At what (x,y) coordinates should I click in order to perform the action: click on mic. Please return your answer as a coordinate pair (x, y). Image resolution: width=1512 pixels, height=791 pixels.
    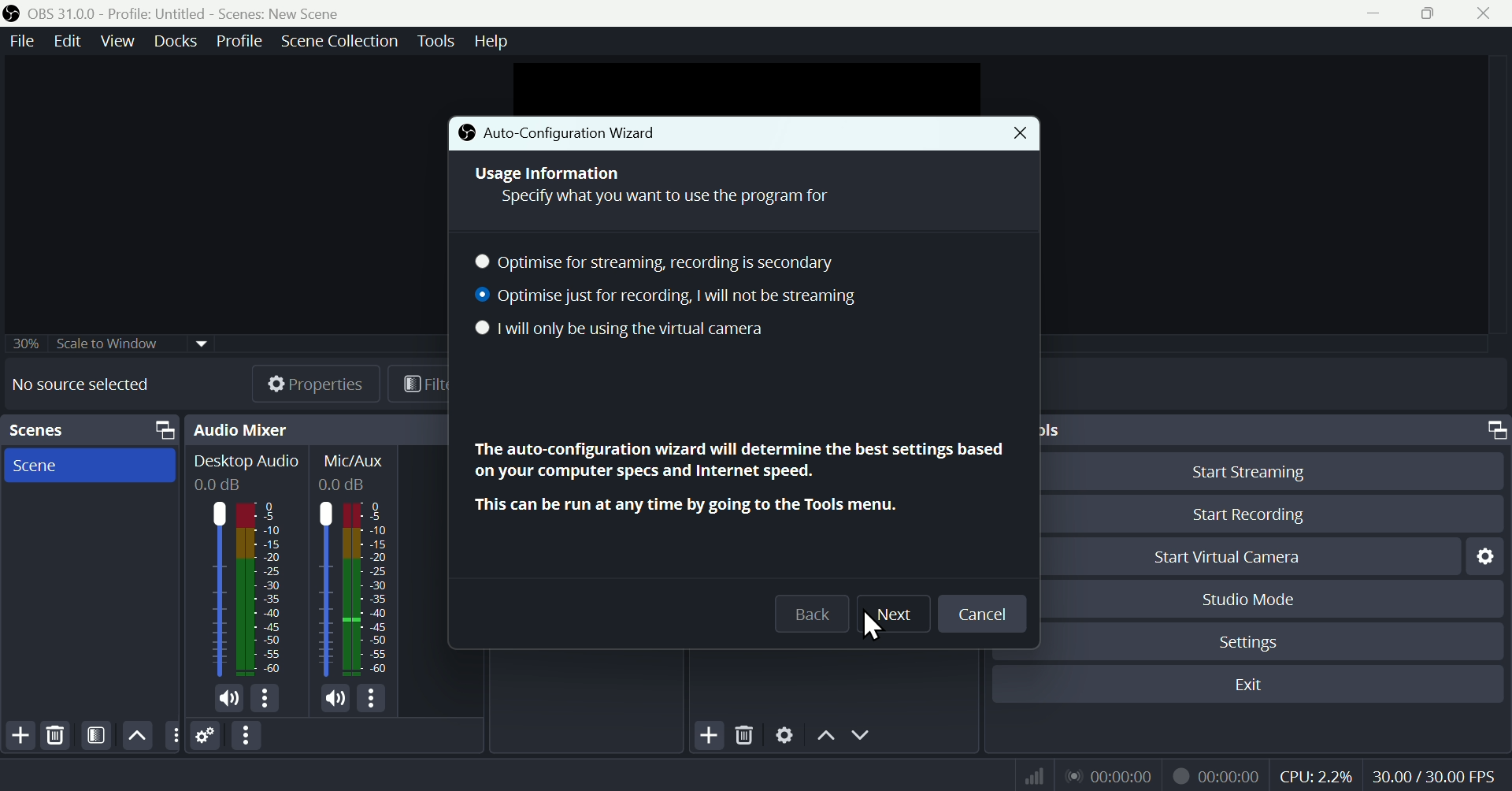
    Looking at the image, I should click on (336, 697).